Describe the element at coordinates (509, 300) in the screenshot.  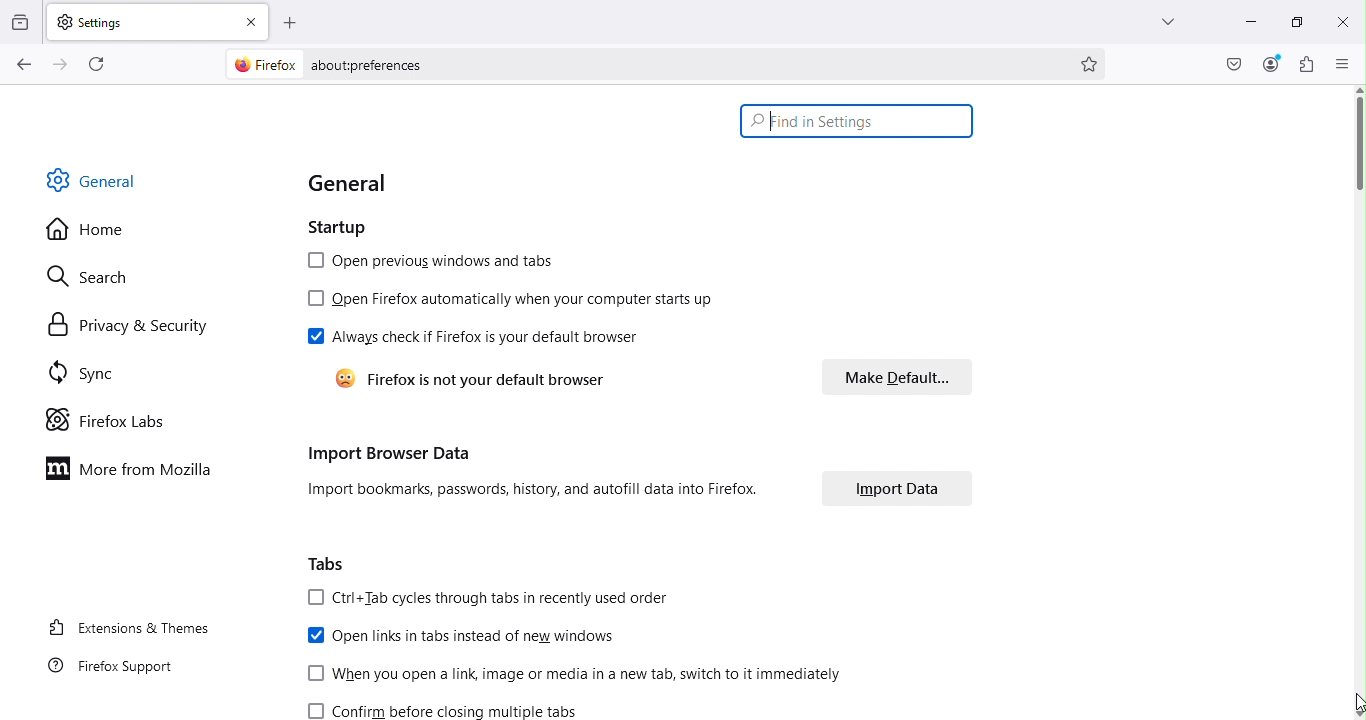
I see `Open firefox automatically when your computer starts up` at that location.